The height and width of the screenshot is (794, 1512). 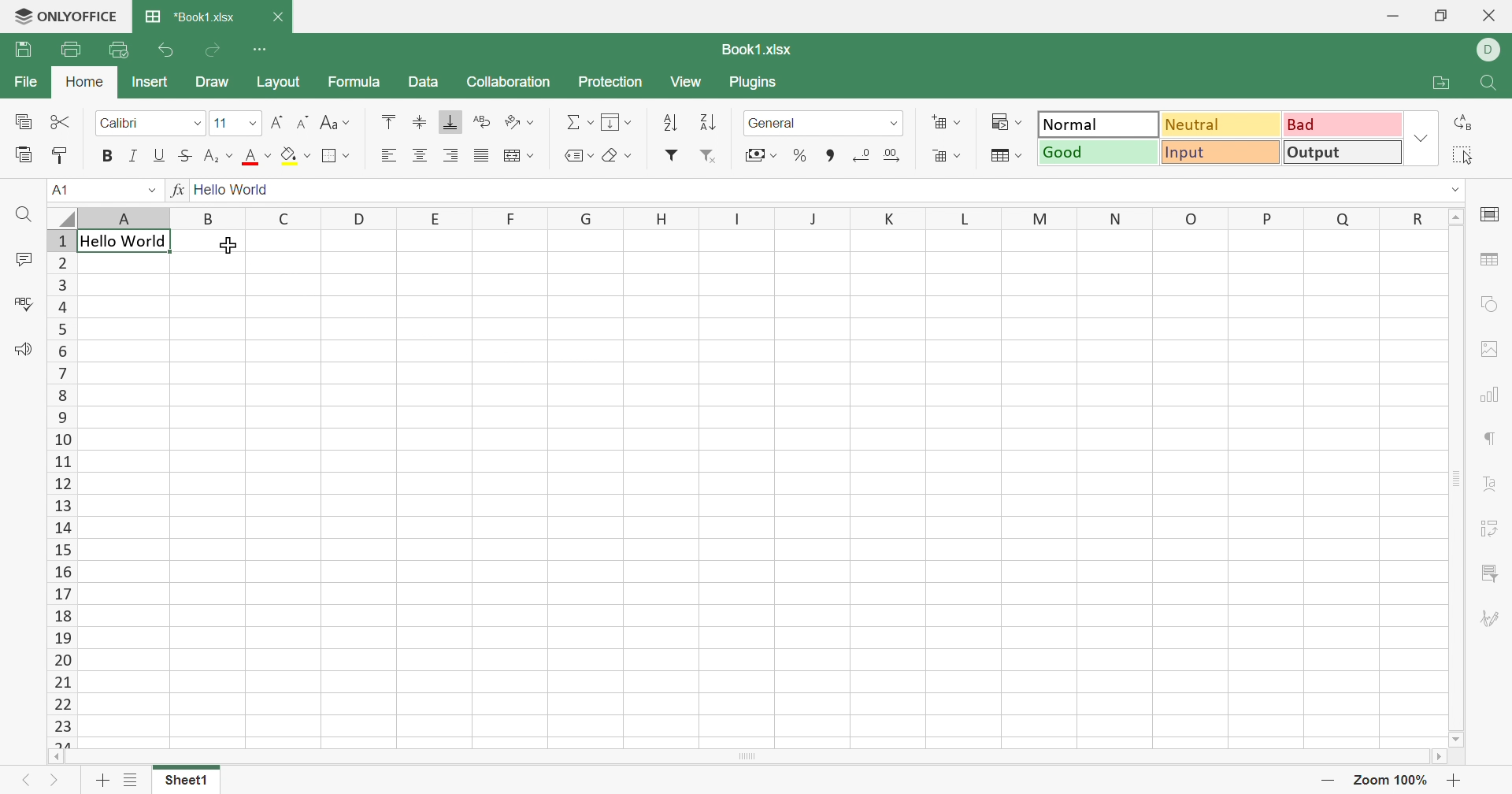 What do you see at coordinates (671, 153) in the screenshot?
I see `Filter` at bounding box center [671, 153].